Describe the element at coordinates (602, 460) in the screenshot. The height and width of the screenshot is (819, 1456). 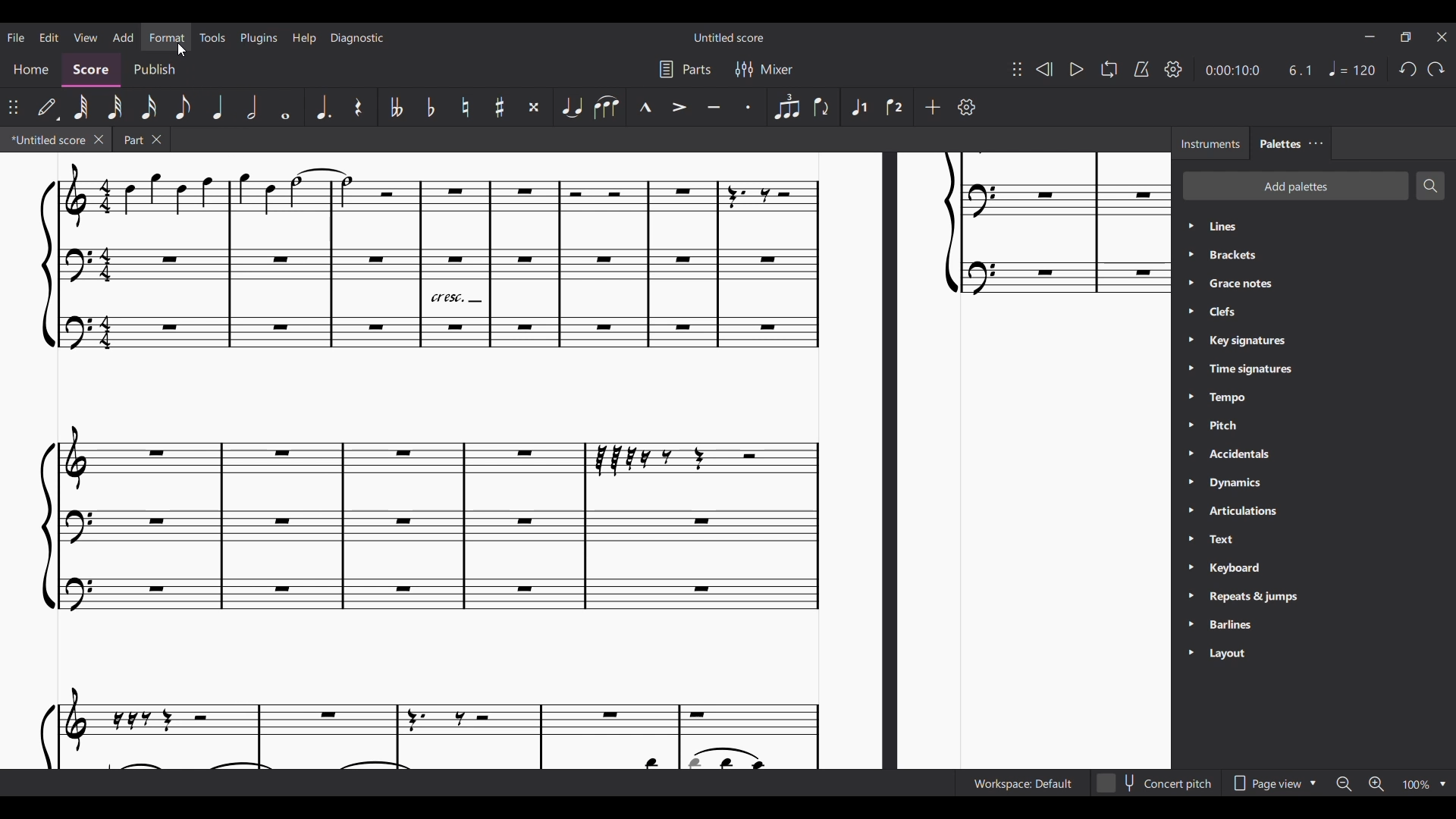
I see `Current score` at that location.